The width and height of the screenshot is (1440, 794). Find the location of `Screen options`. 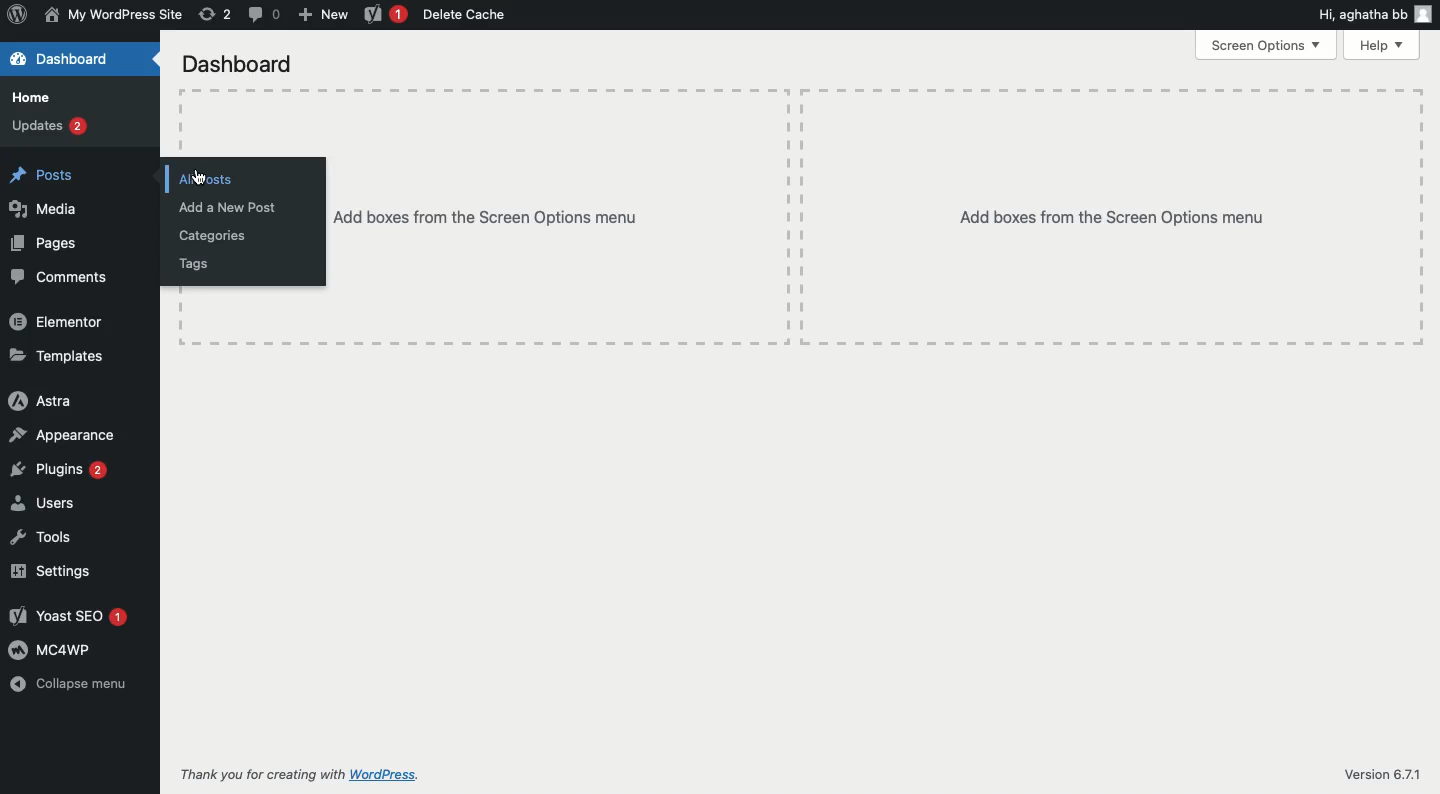

Screen options is located at coordinates (1265, 46).